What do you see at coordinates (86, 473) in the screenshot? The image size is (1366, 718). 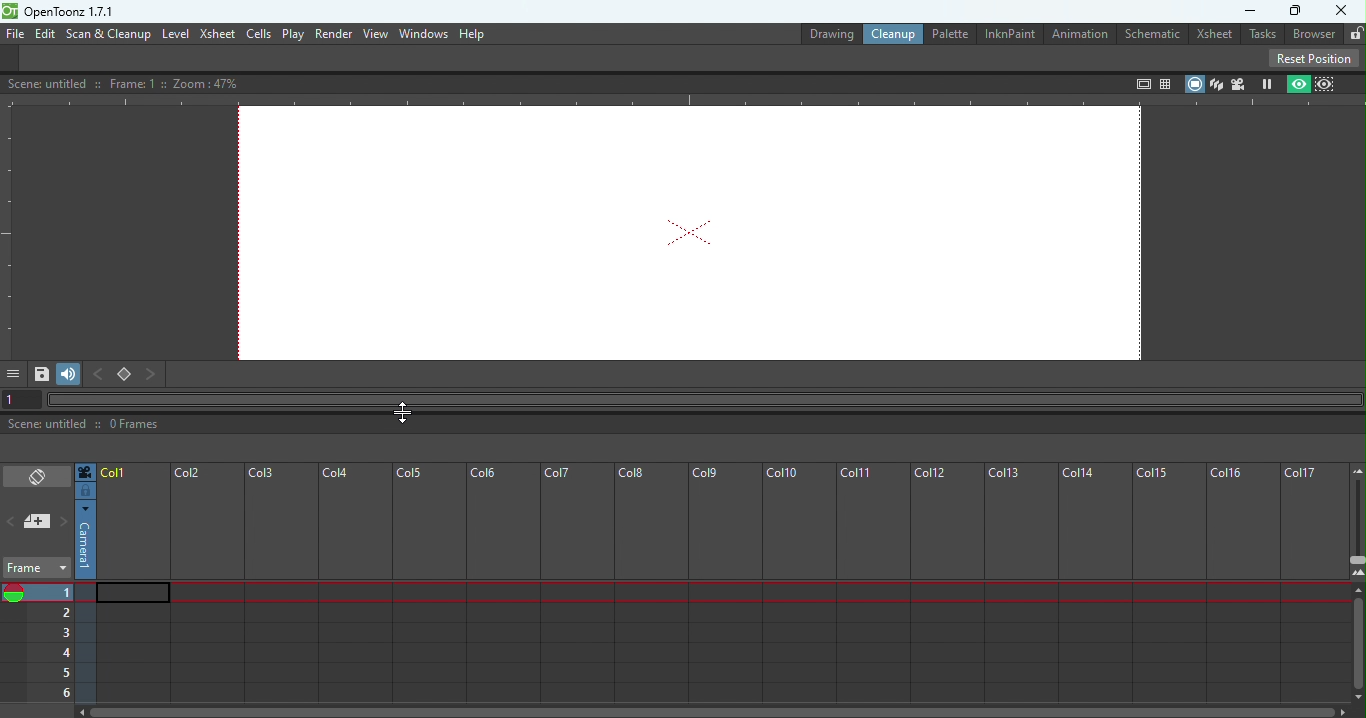 I see `Click to select camera` at bounding box center [86, 473].